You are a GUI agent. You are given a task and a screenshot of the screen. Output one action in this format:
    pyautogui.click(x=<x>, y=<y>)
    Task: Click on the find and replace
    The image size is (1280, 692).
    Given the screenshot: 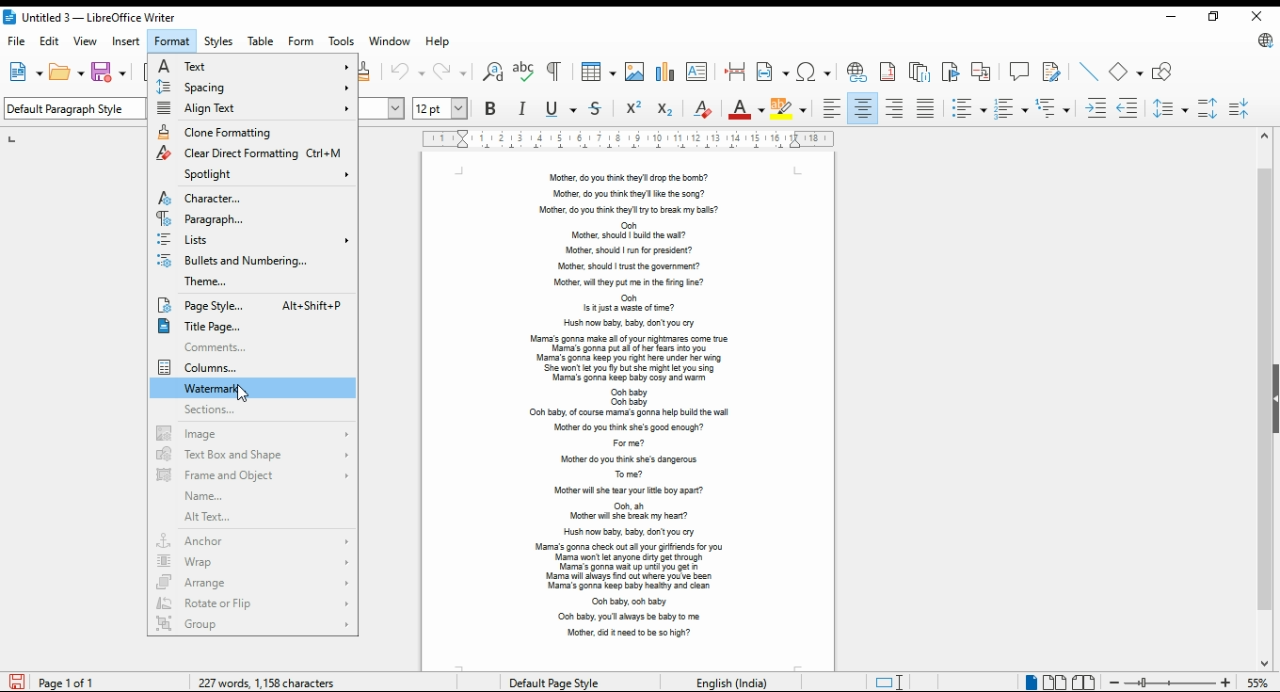 What is the action you would take?
    pyautogui.click(x=493, y=72)
    